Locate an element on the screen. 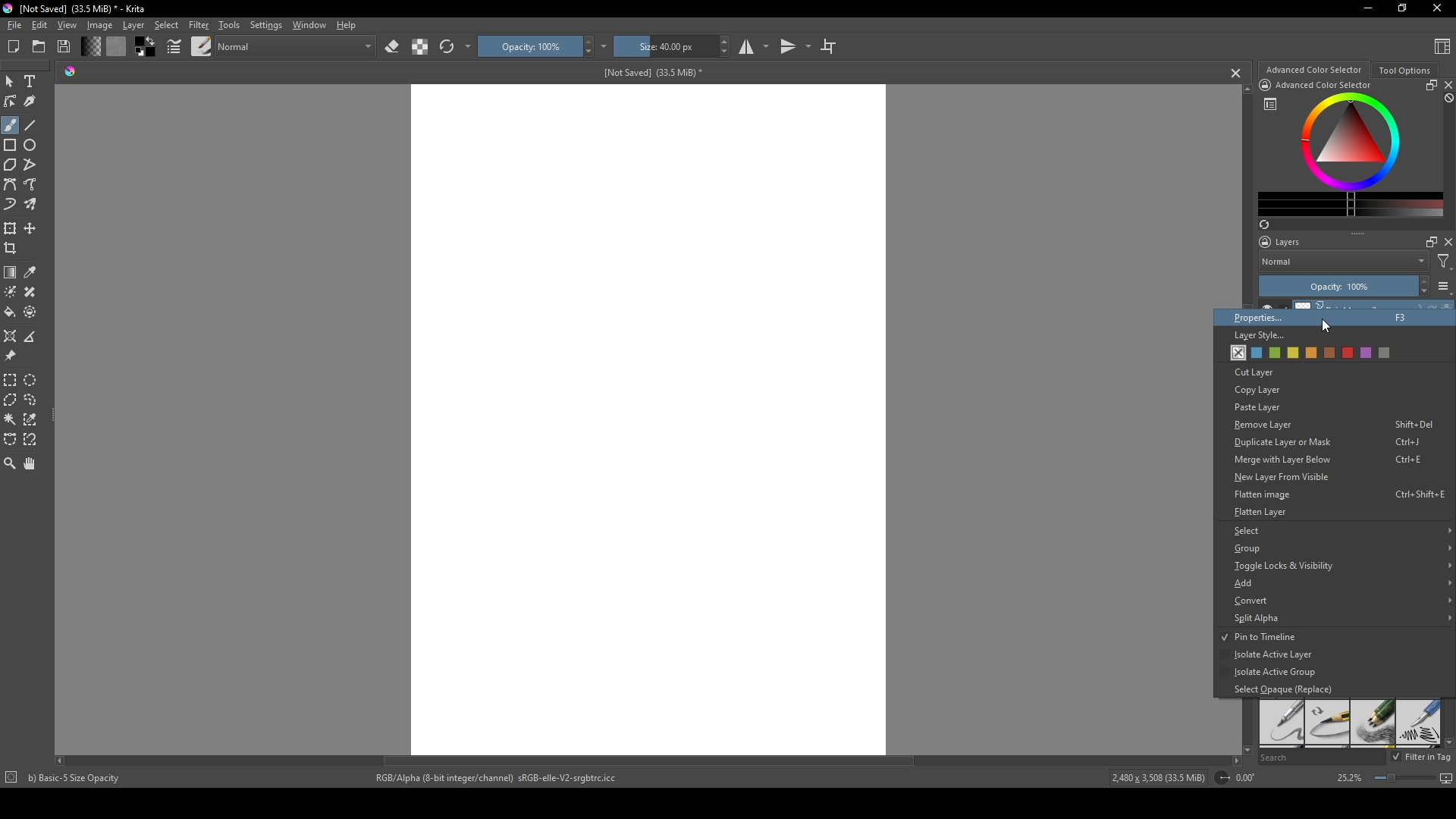 The height and width of the screenshot is (819, 1456). contrast is located at coordinates (419, 46).